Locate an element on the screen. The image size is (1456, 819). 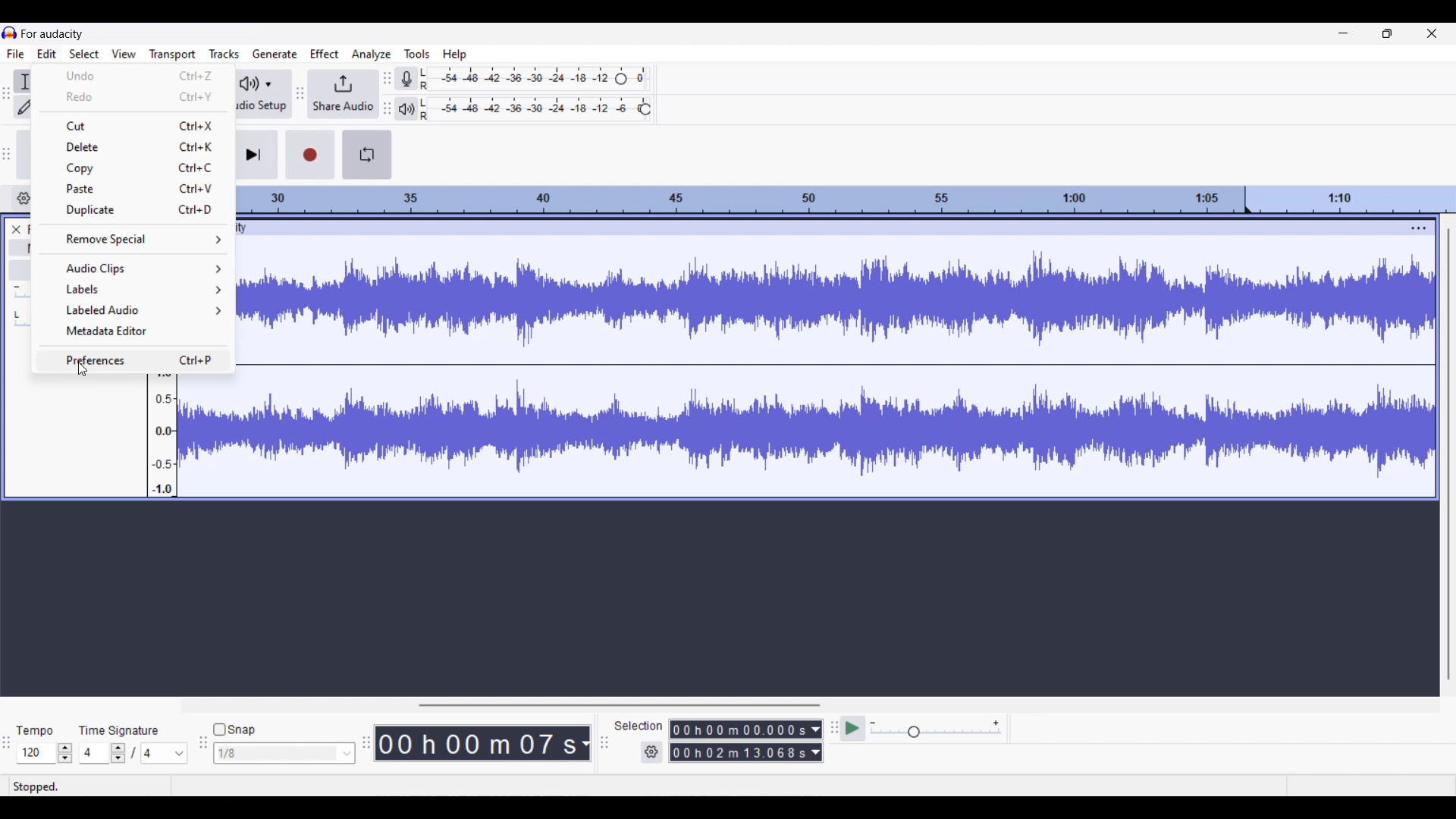
Undo is located at coordinates (134, 75).